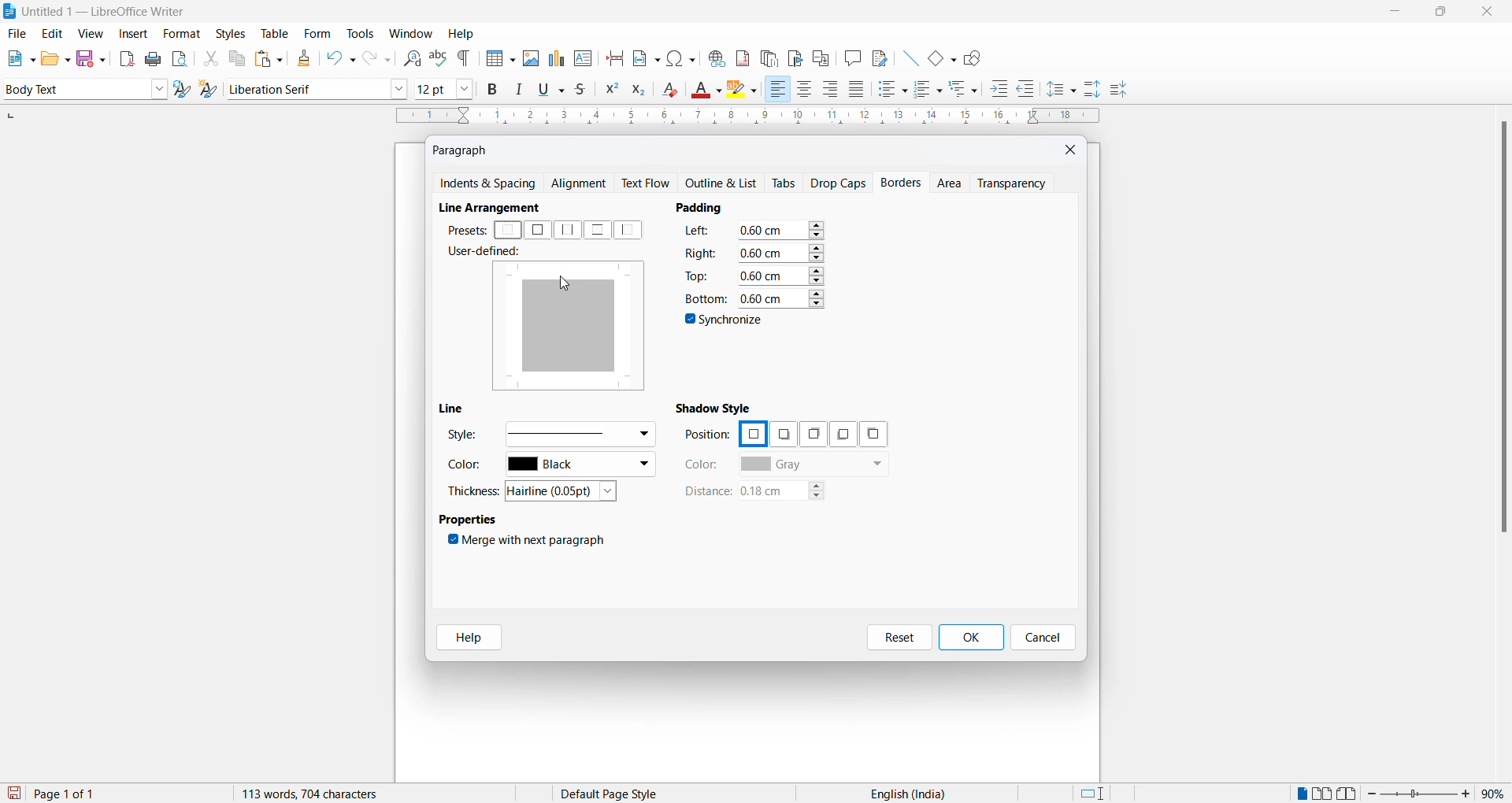 The height and width of the screenshot is (803, 1512). I want to click on view, so click(93, 33).